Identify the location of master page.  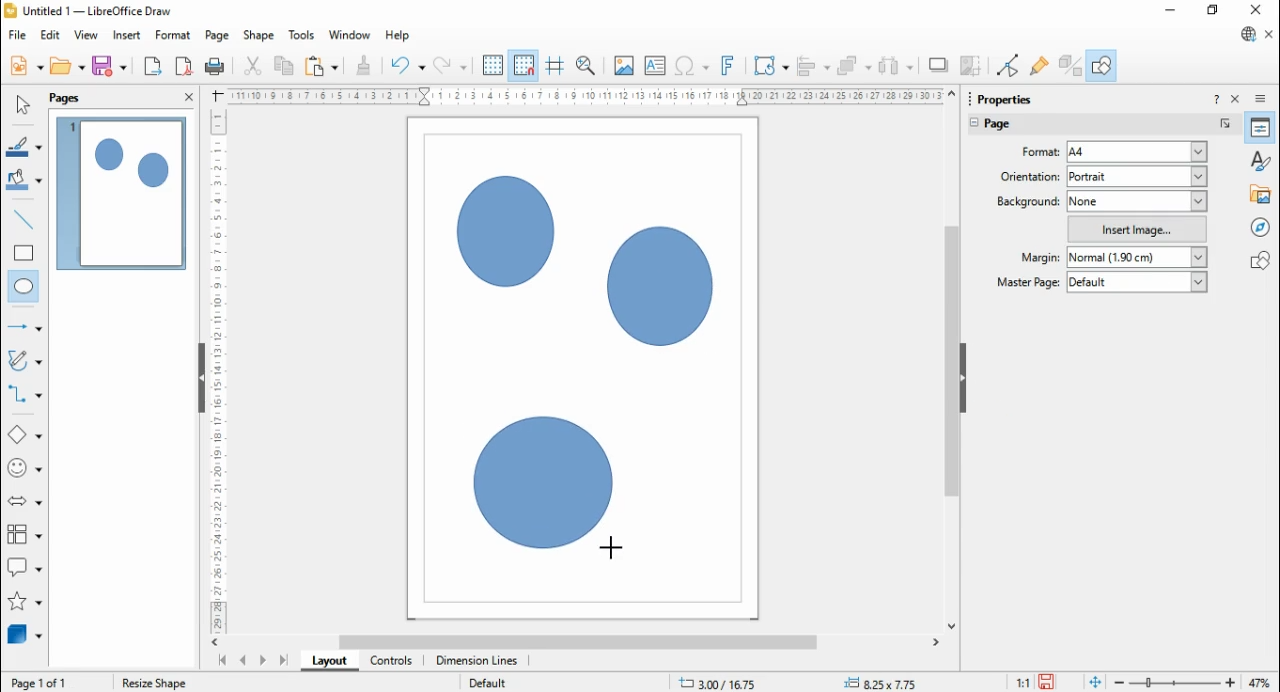
(1031, 284).